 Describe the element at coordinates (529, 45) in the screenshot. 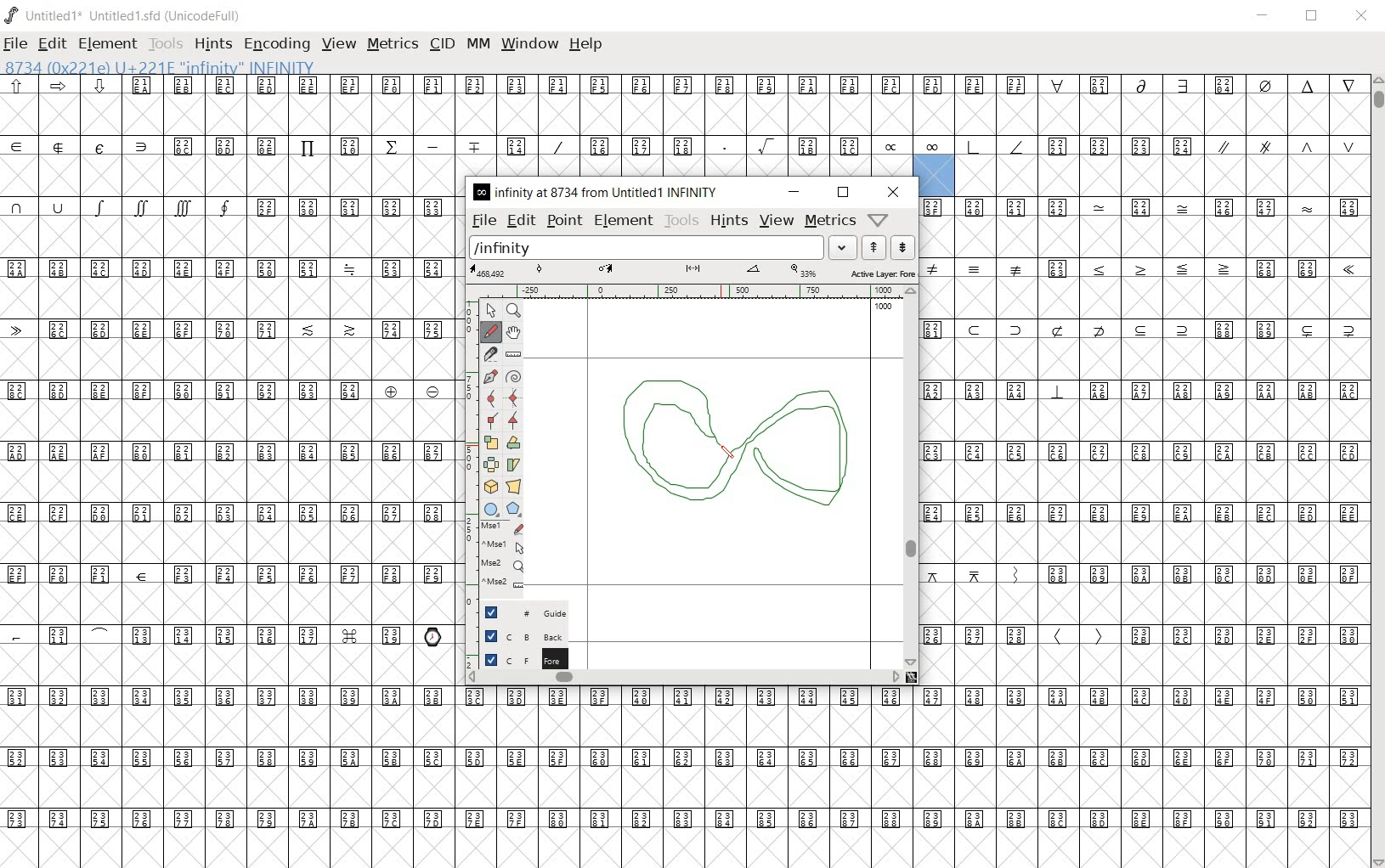

I see `window` at that location.